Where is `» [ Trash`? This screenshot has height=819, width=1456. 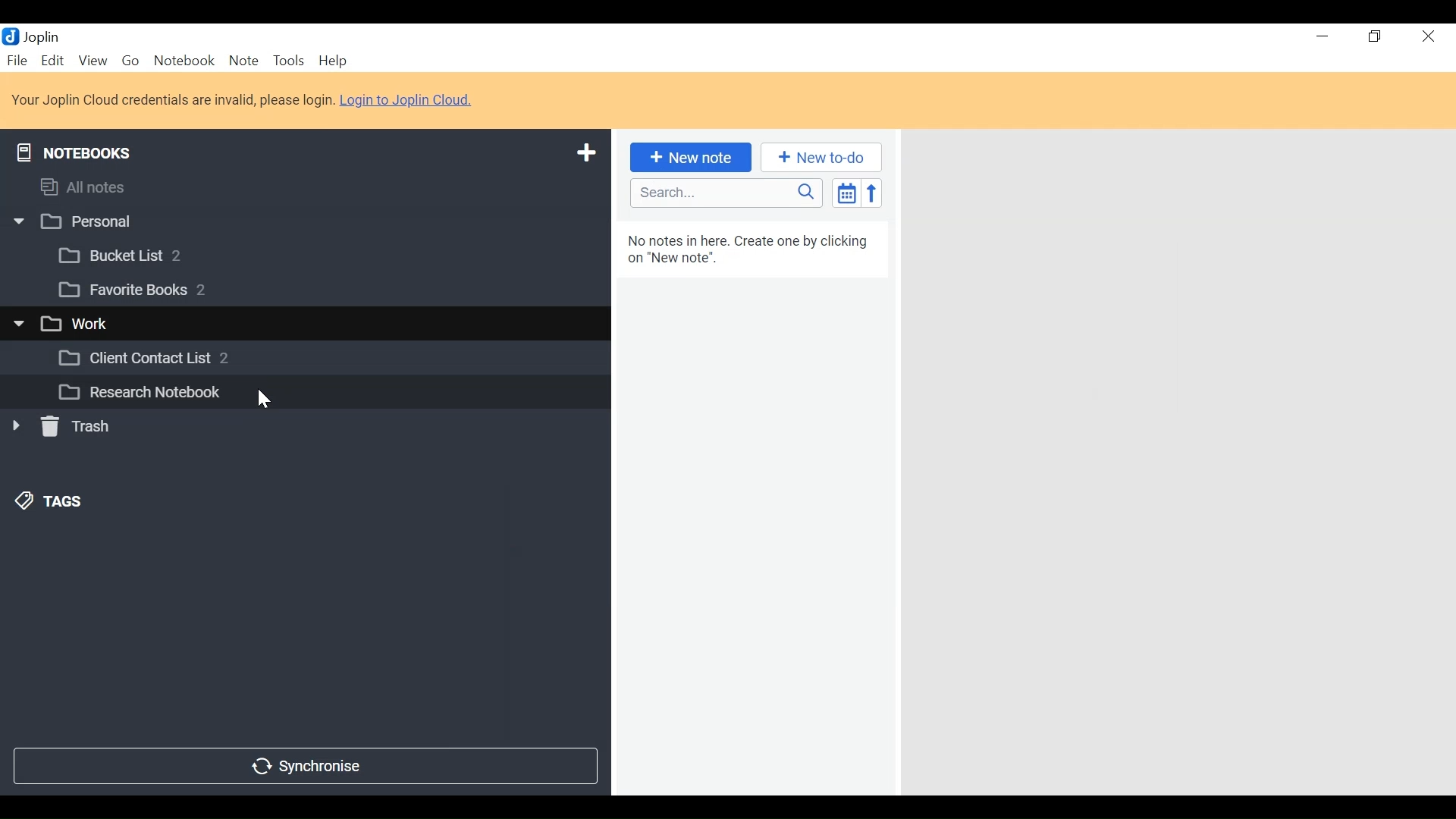
» [ Trash is located at coordinates (80, 426).